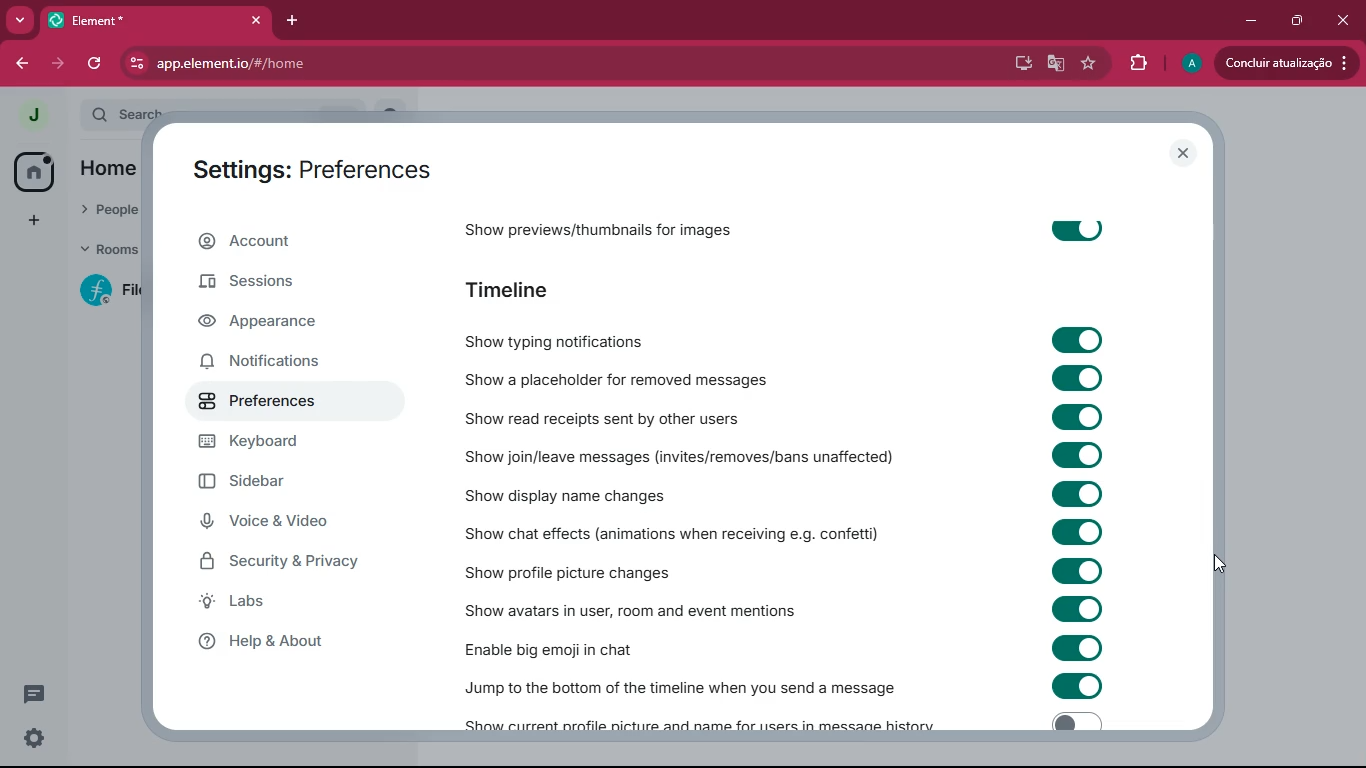 The width and height of the screenshot is (1366, 768). Describe the element at coordinates (117, 167) in the screenshot. I see `home` at that location.